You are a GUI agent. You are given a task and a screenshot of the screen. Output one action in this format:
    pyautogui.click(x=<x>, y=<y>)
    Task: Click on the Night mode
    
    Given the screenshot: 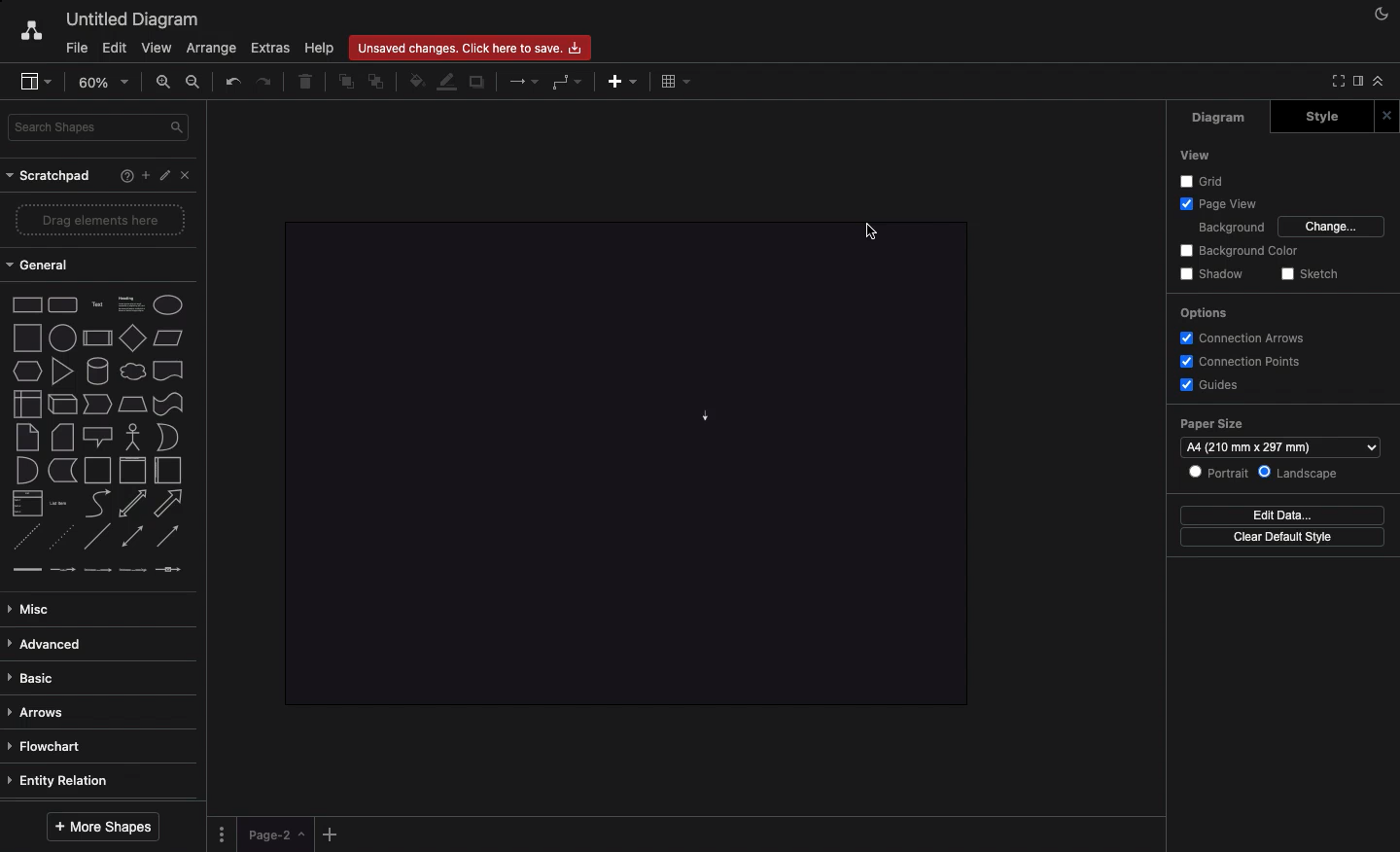 What is the action you would take?
    pyautogui.click(x=1382, y=15)
    